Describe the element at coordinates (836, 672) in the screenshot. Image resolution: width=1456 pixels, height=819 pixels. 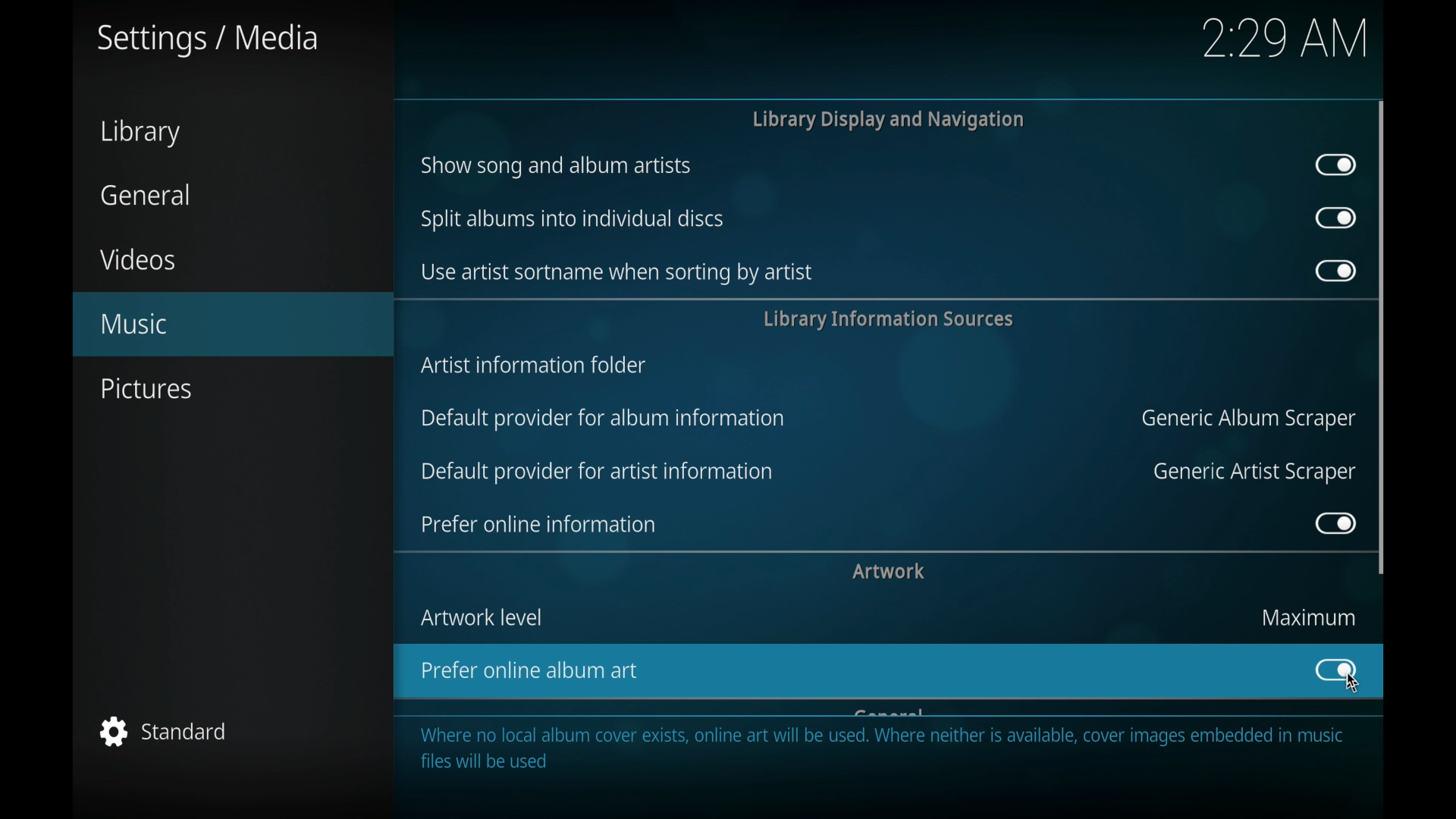
I see `prefer online album art` at that location.